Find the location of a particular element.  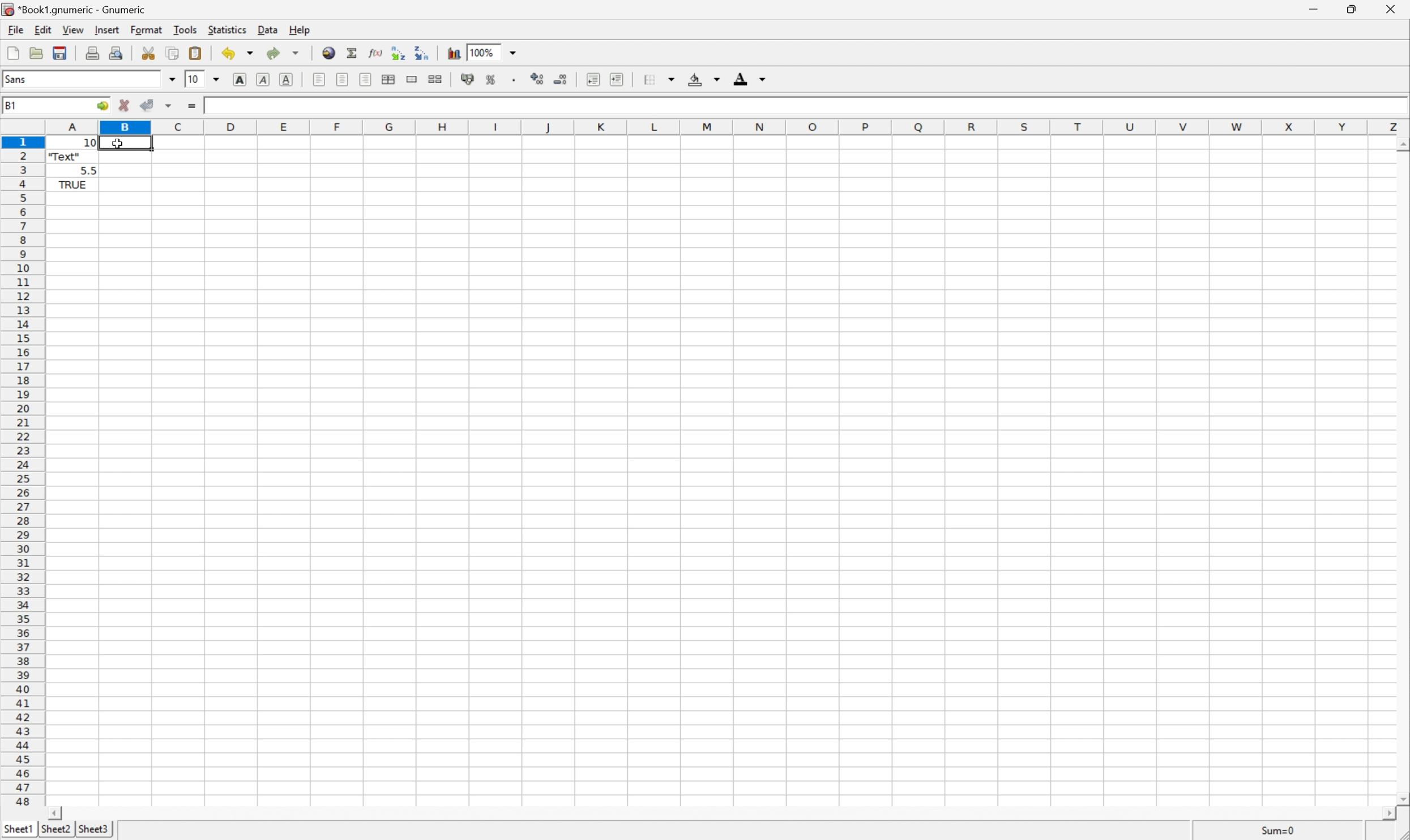

Redo is located at coordinates (284, 52).